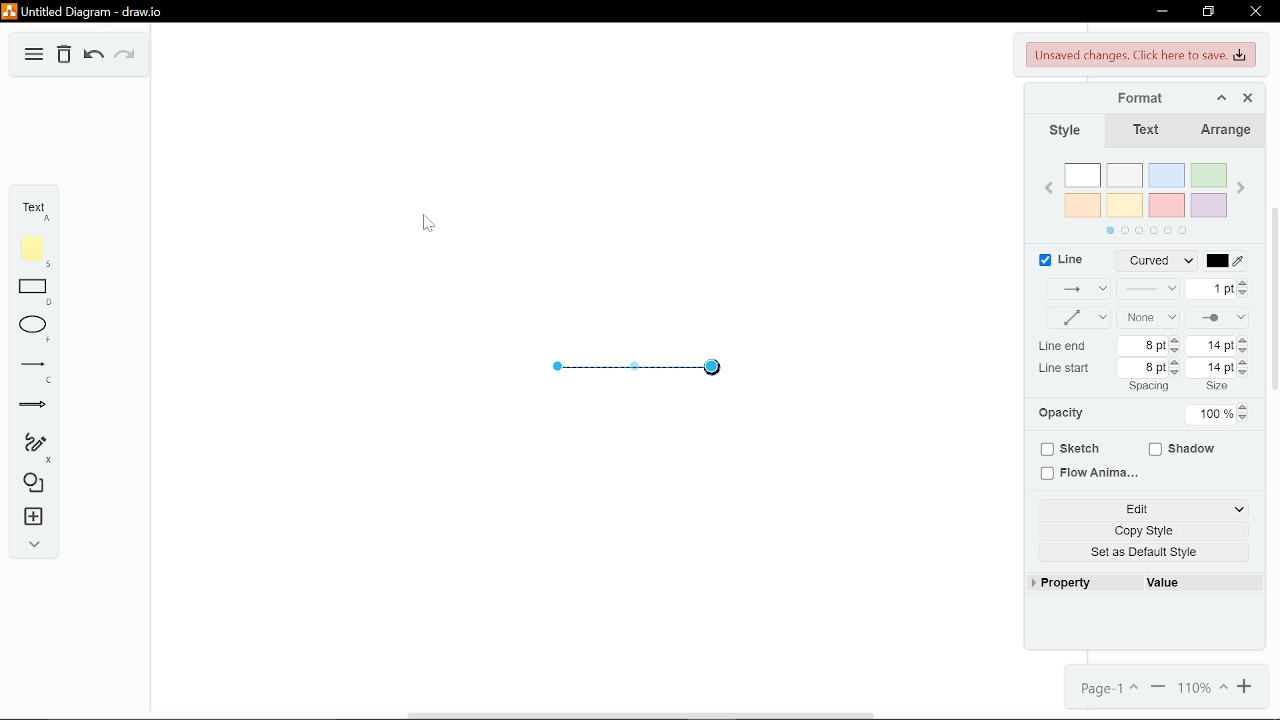  Describe the element at coordinates (34, 55) in the screenshot. I see `Diagram` at that location.